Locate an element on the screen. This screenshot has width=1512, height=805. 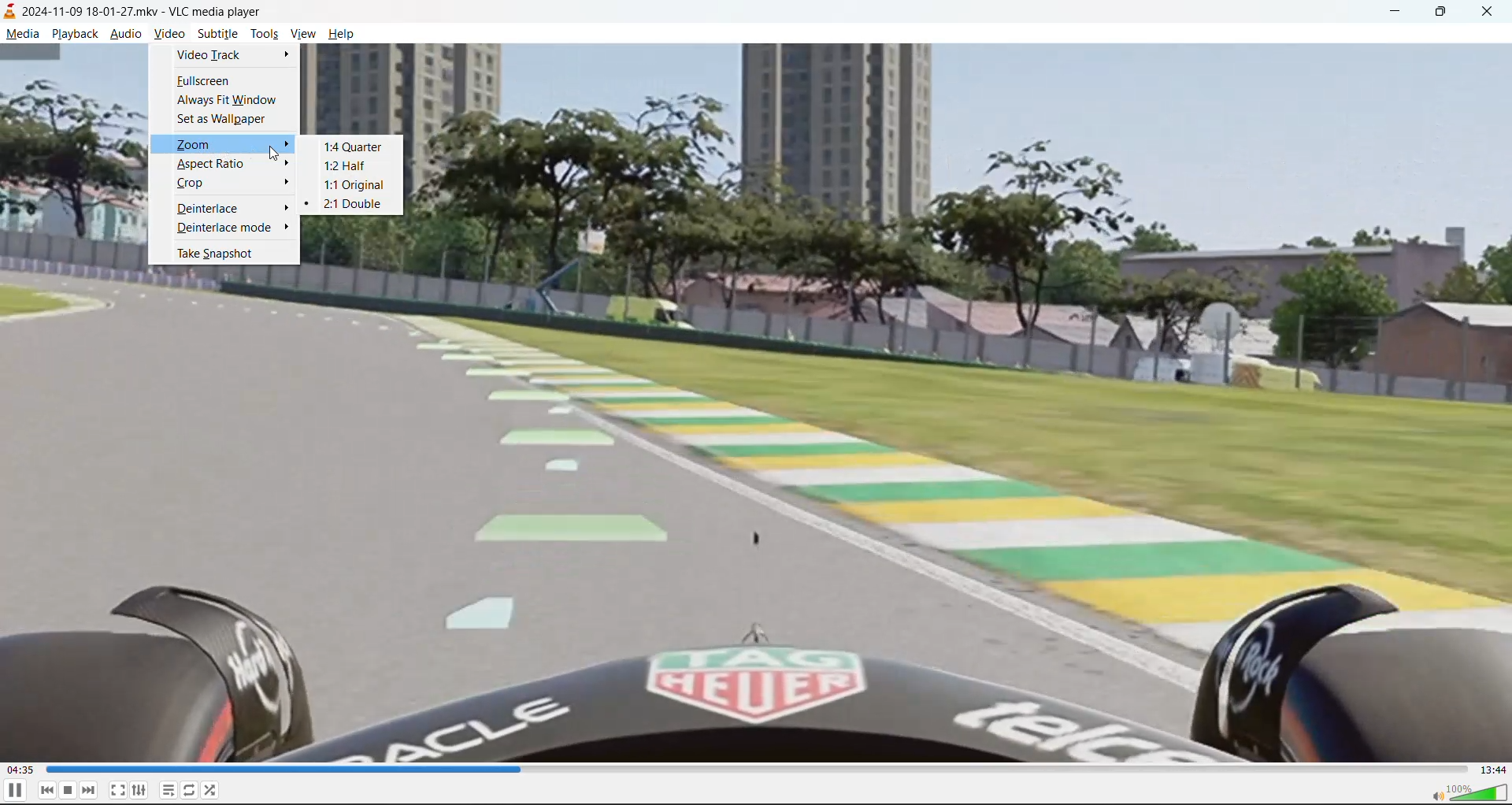
fullscreen is located at coordinates (207, 82).